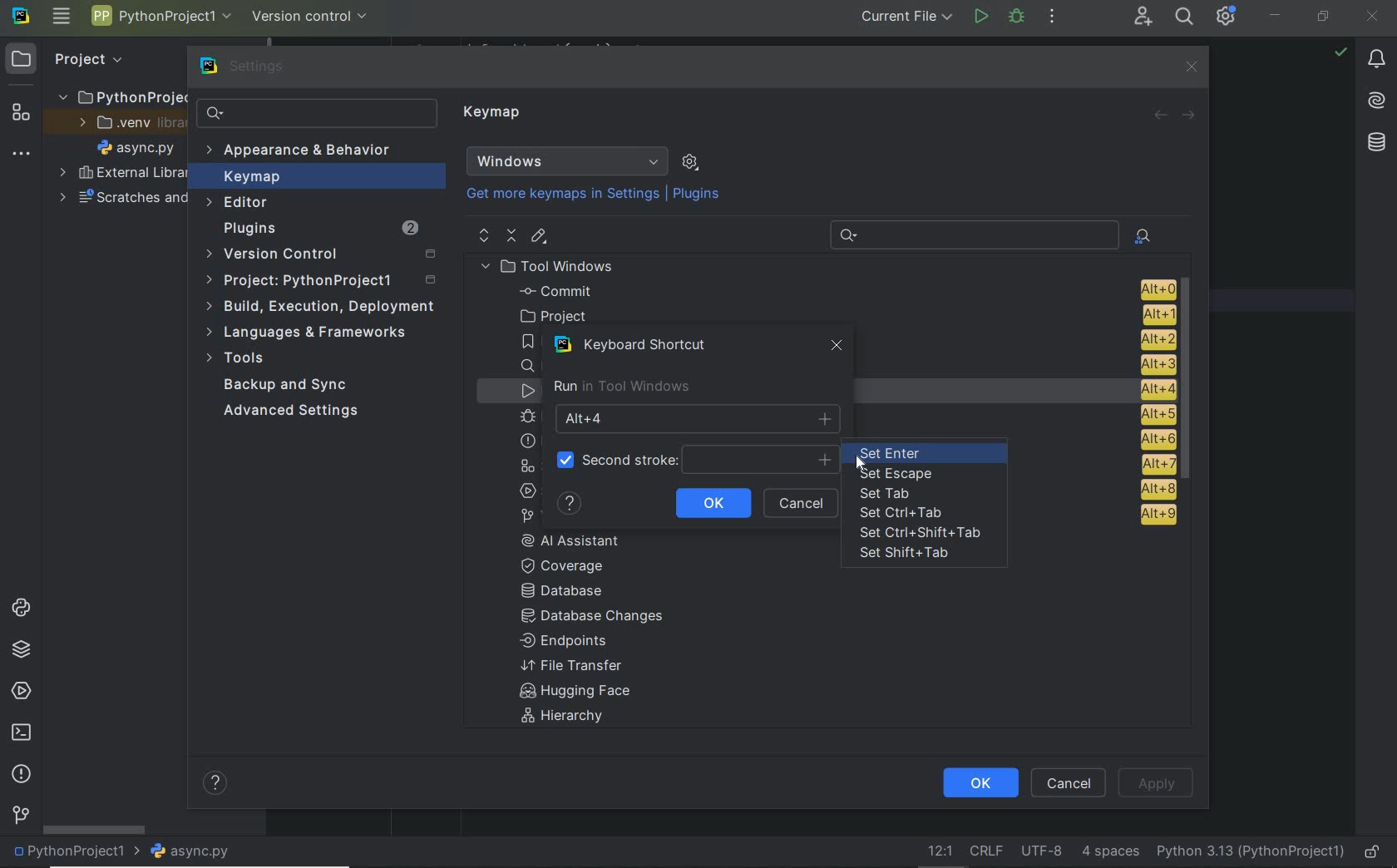 Image resolution: width=1397 pixels, height=868 pixels. Describe the element at coordinates (318, 229) in the screenshot. I see `Plugins` at that location.